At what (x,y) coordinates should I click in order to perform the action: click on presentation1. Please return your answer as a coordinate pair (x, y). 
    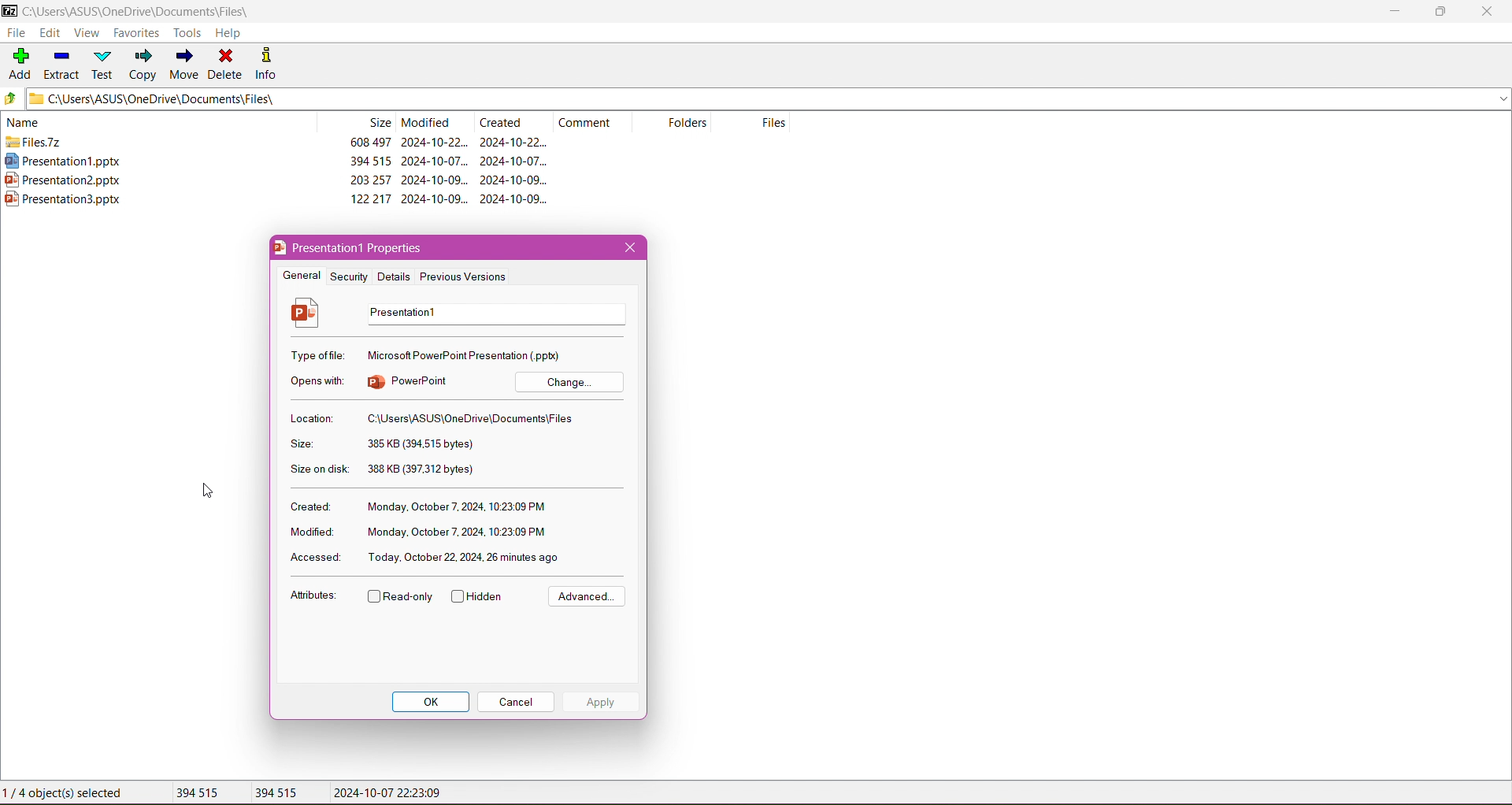
    Looking at the image, I should click on (496, 313).